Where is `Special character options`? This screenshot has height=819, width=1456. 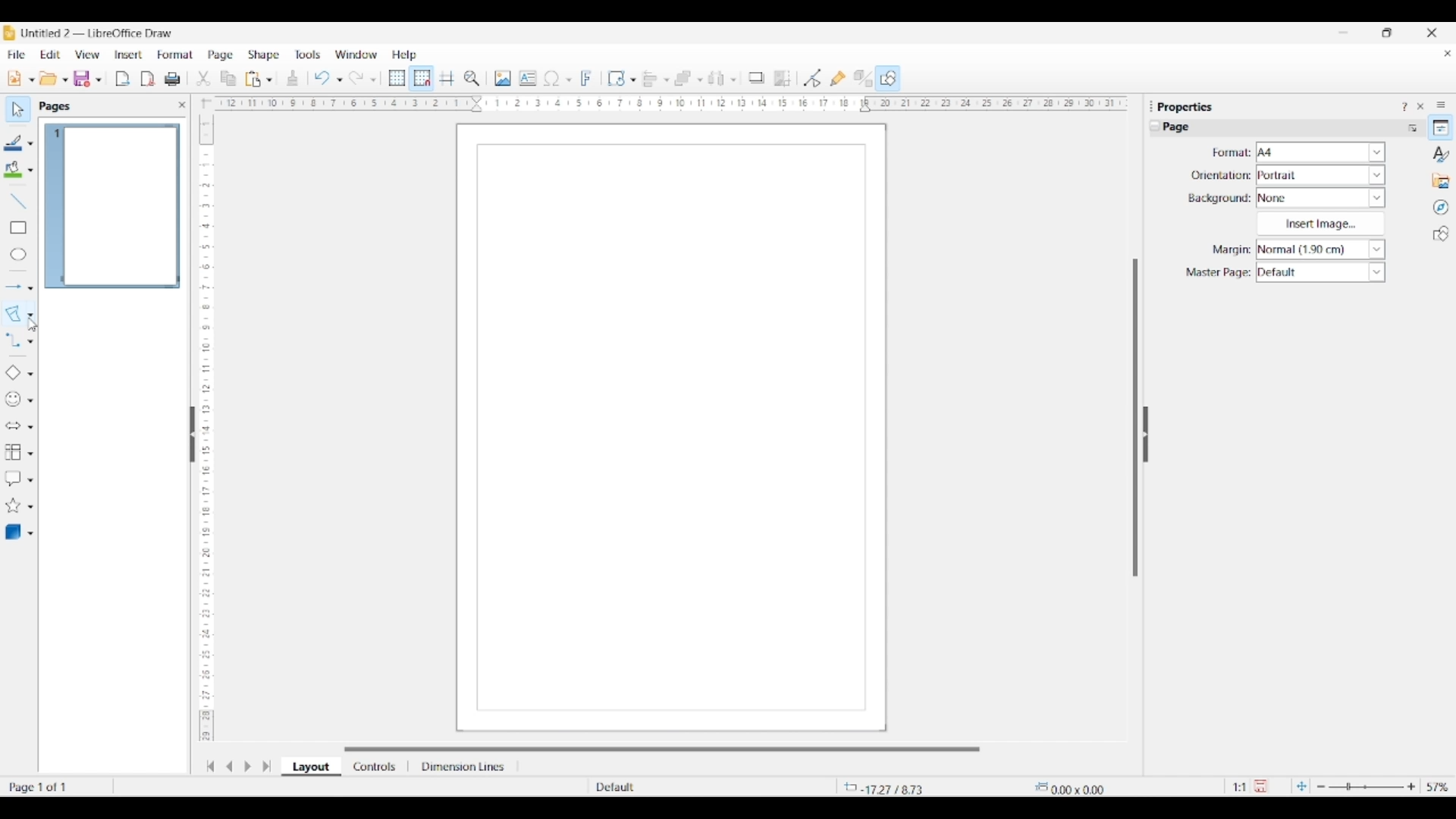
Special character options is located at coordinates (569, 80).